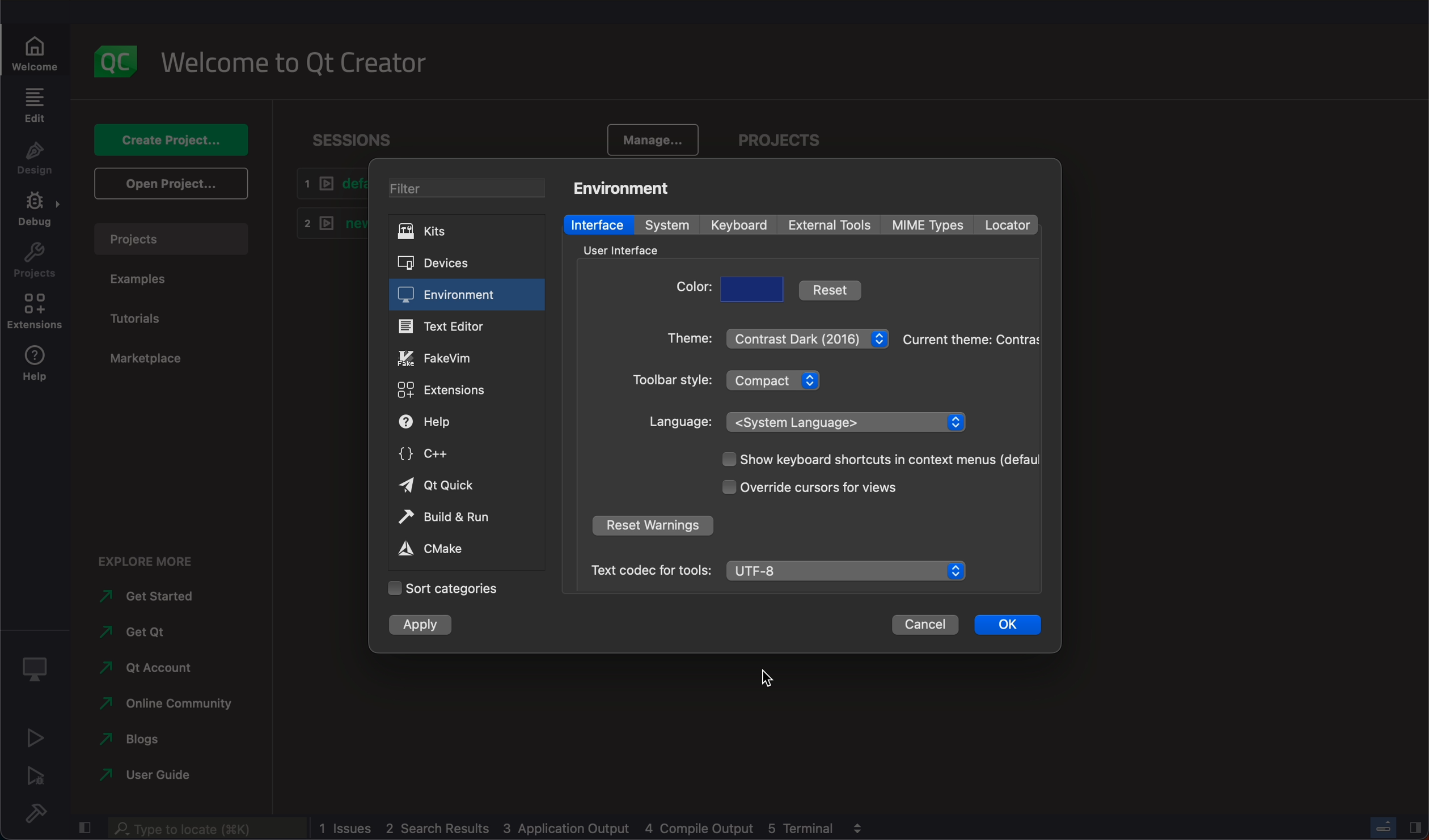  What do you see at coordinates (43, 813) in the screenshot?
I see `build` at bounding box center [43, 813].